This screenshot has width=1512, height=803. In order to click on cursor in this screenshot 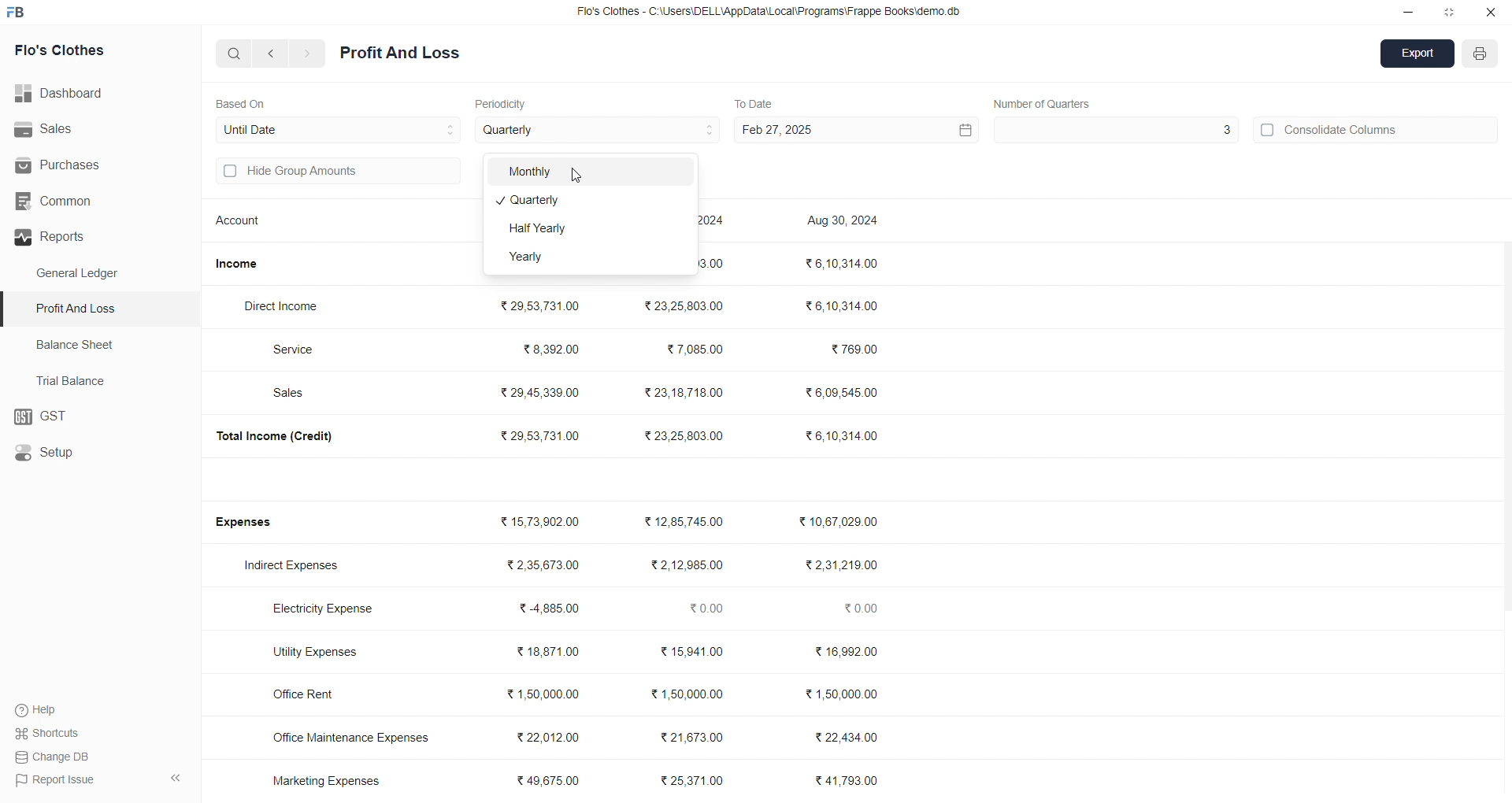, I will do `click(580, 173)`.